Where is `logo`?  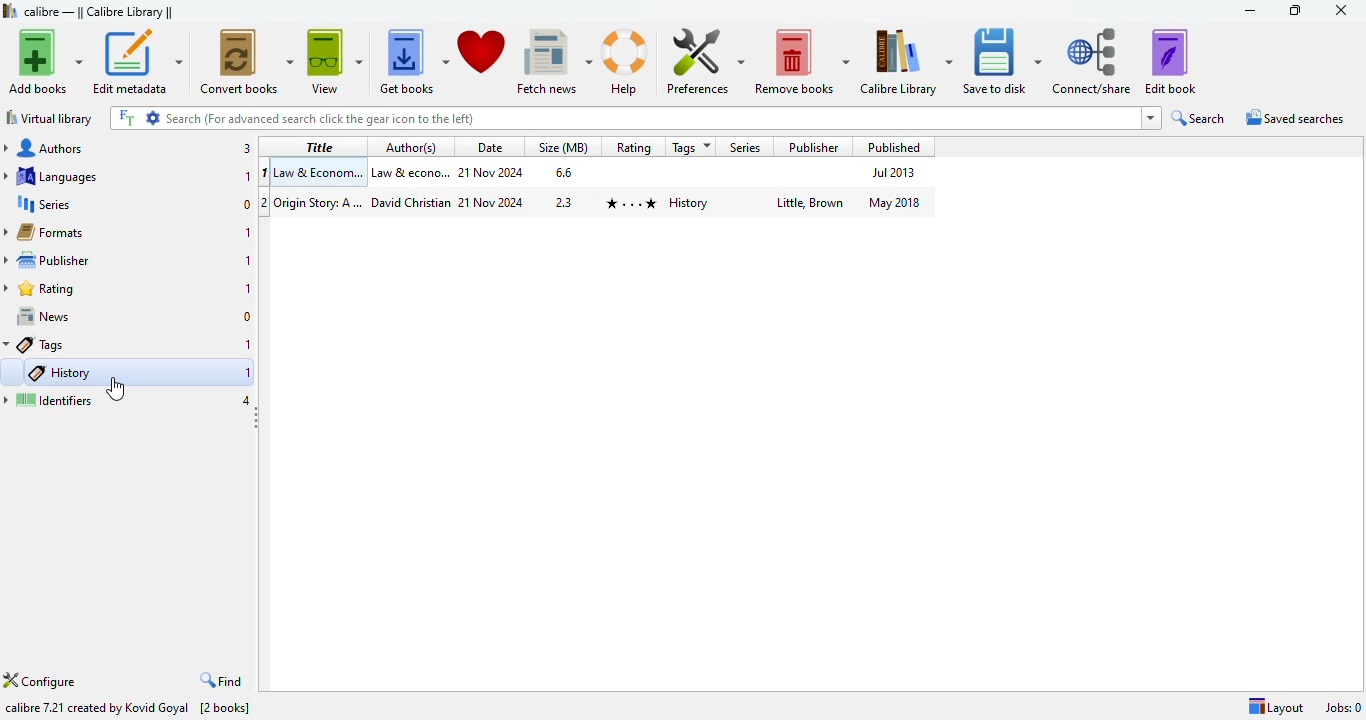 logo is located at coordinates (9, 11).